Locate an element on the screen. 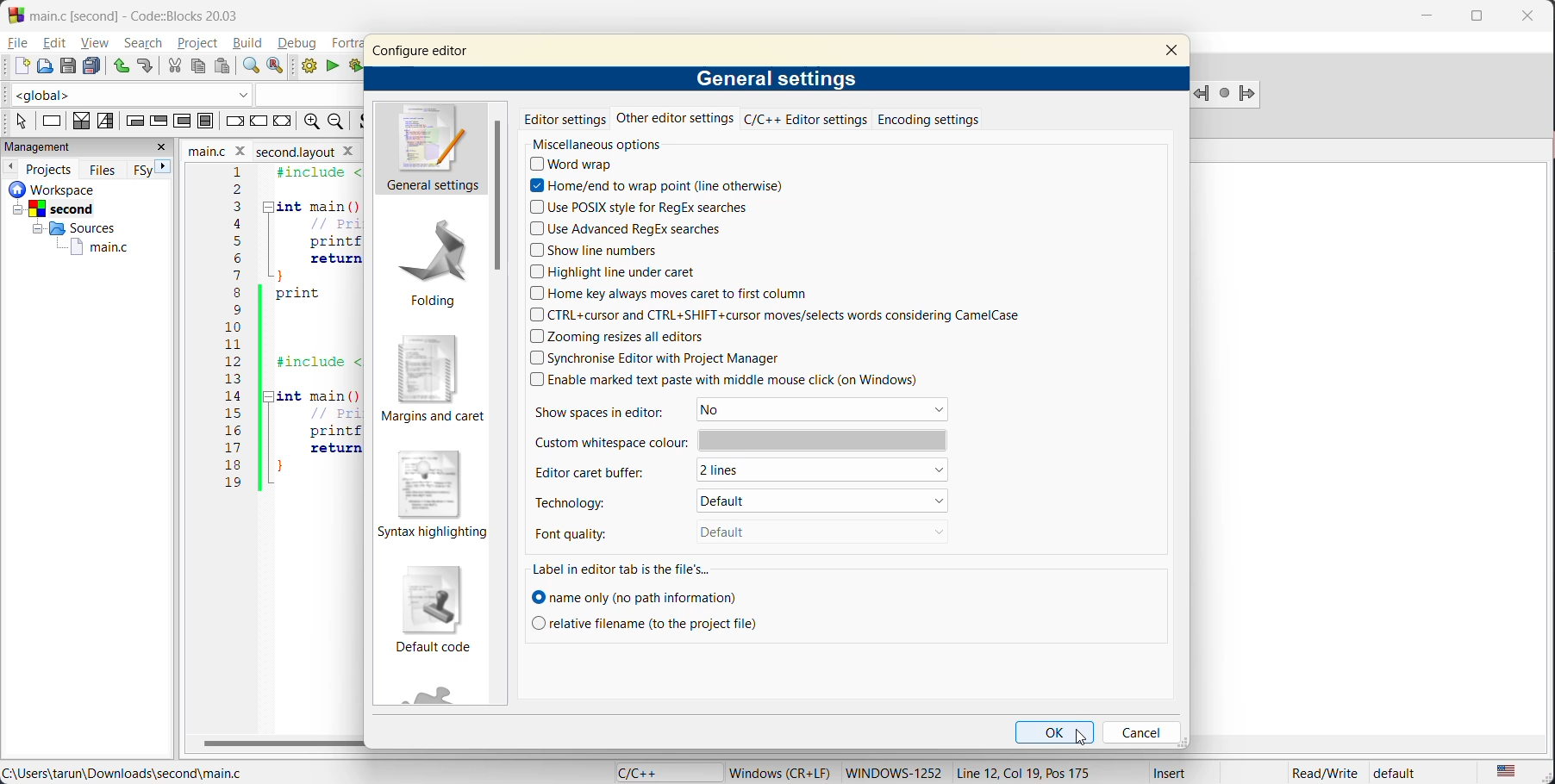 This screenshot has width=1555, height=784. Insert is located at coordinates (1172, 773).